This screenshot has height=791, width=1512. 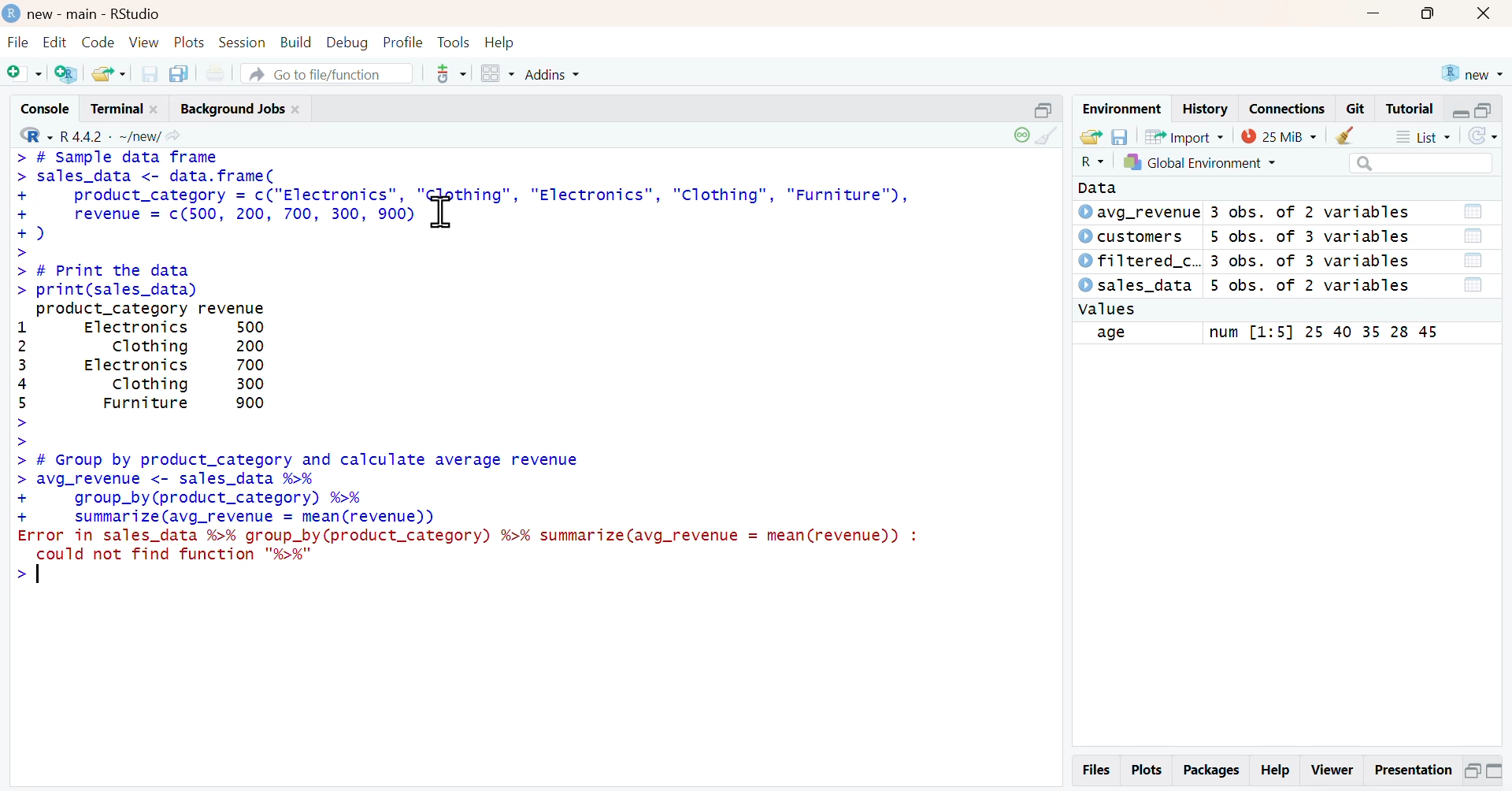 What do you see at coordinates (126, 108) in the screenshot?
I see `Terminal` at bounding box center [126, 108].